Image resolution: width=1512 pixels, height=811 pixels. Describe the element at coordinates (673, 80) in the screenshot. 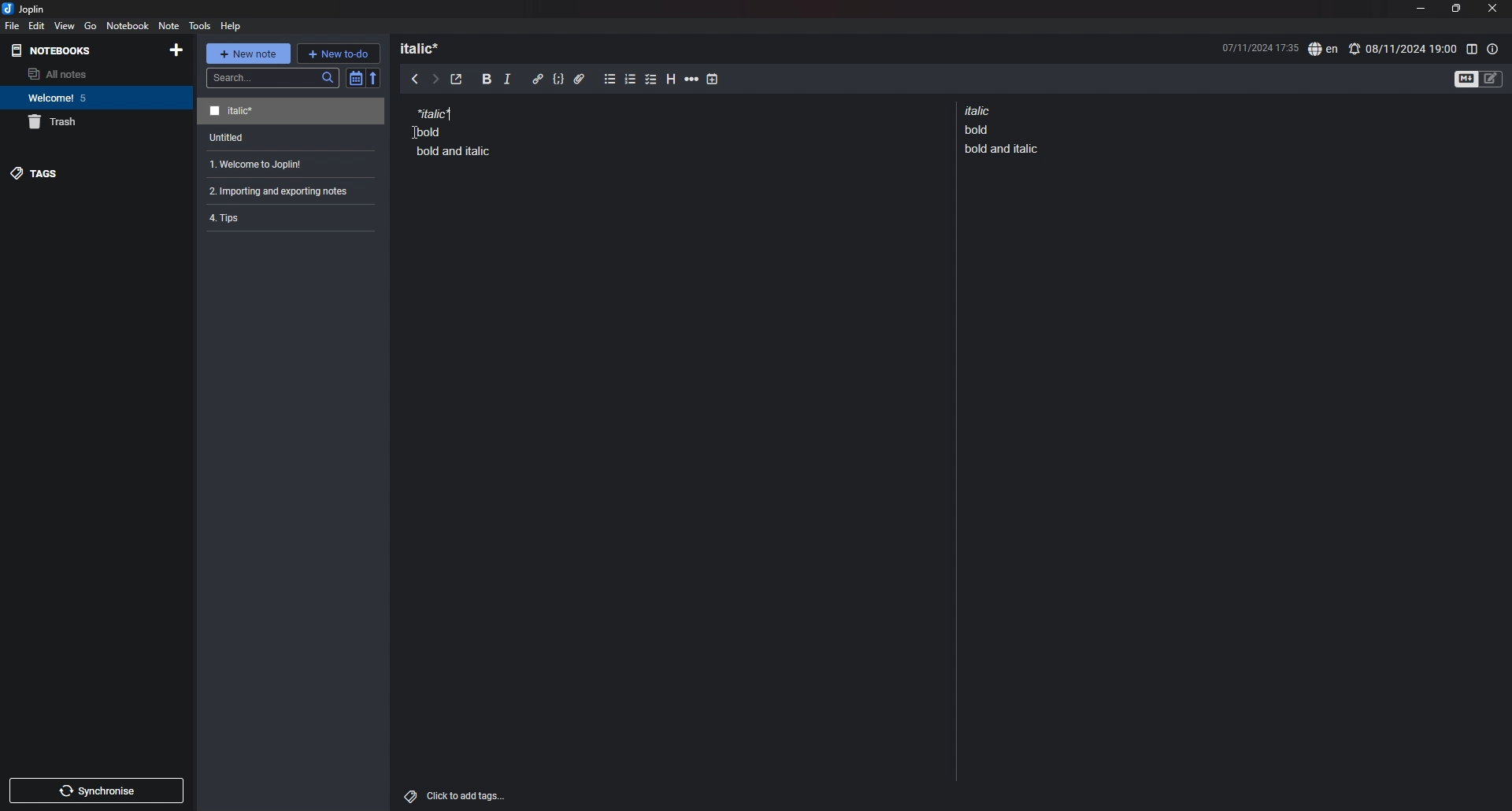

I see `heading` at that location.